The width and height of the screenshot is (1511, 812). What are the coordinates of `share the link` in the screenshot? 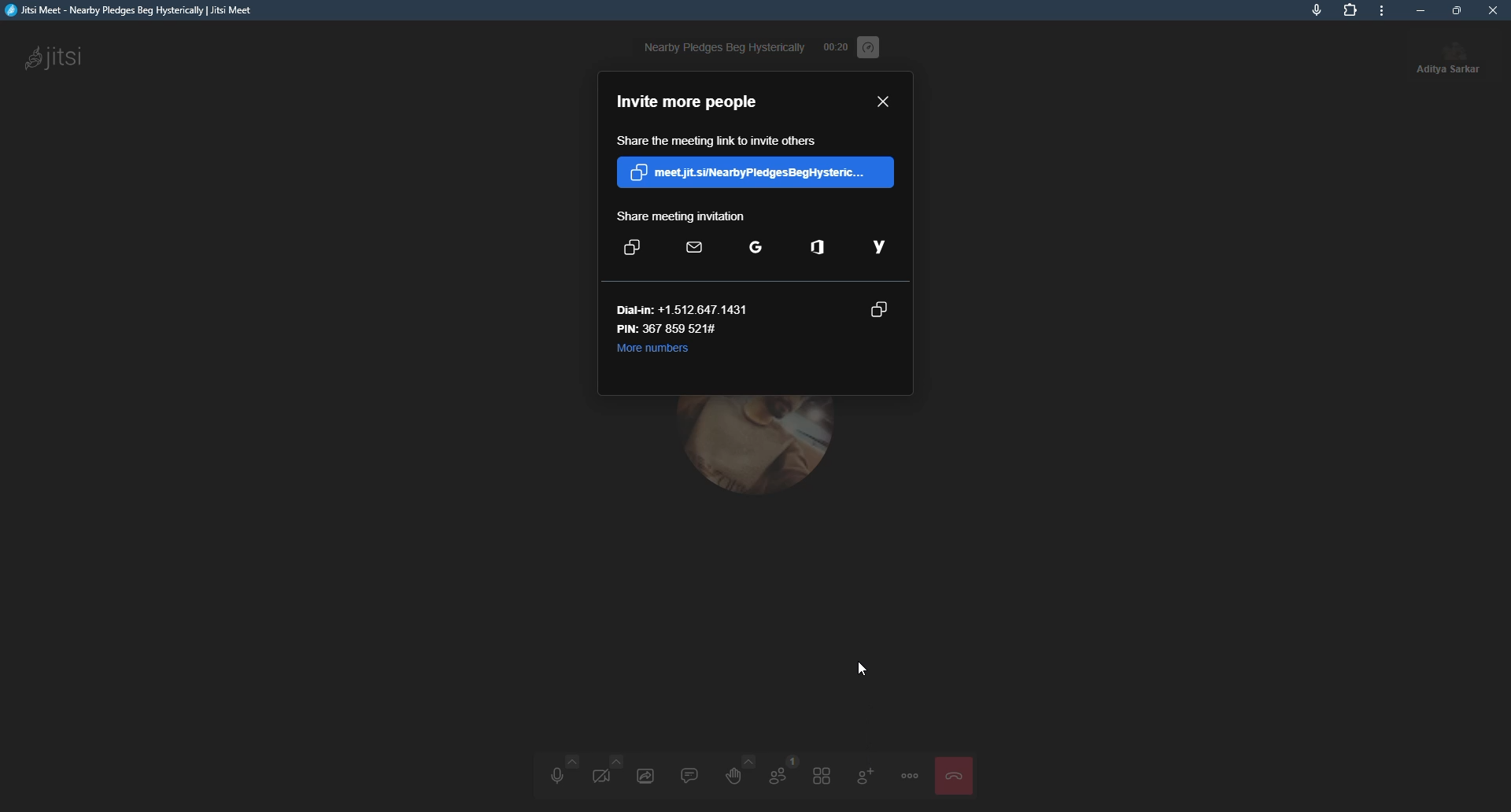 It's located at (715, 140).